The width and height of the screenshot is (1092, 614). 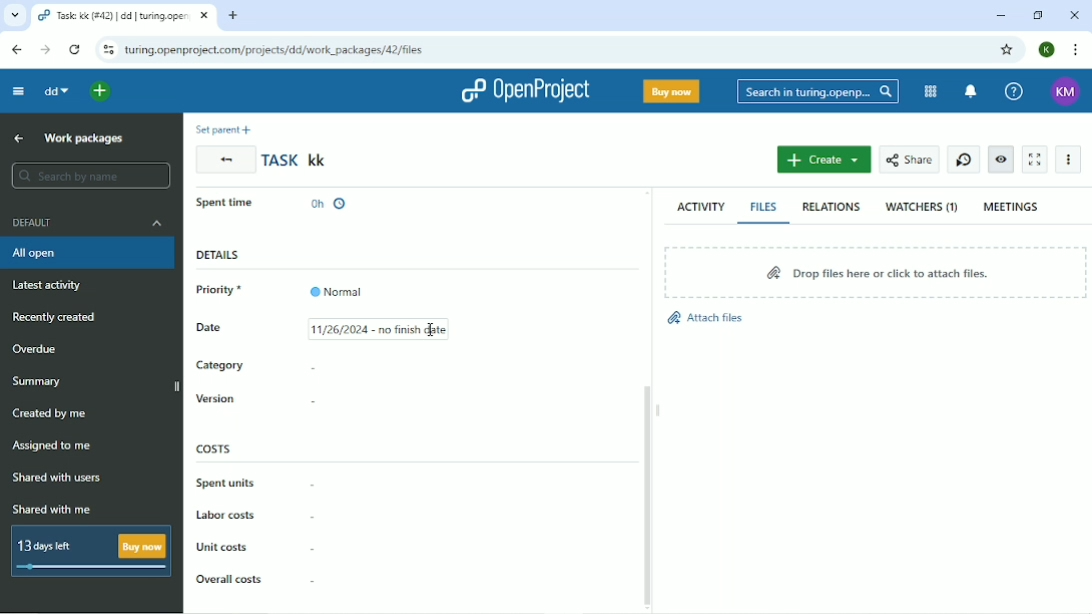 What do you see at coordinates (223, 331) in the screenshot?
I see `Date` at bounding box center [223, 331].